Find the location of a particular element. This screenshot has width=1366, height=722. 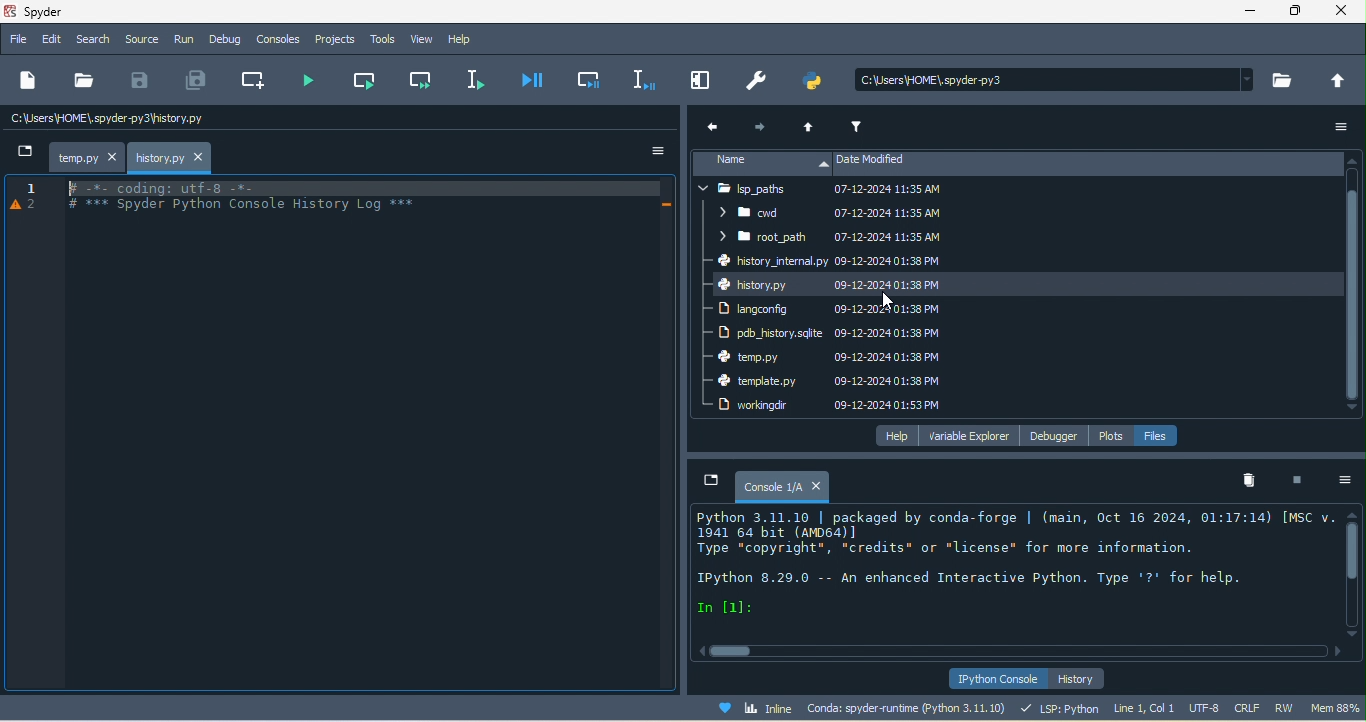

lsp python is located at coordinates (1059, 707).